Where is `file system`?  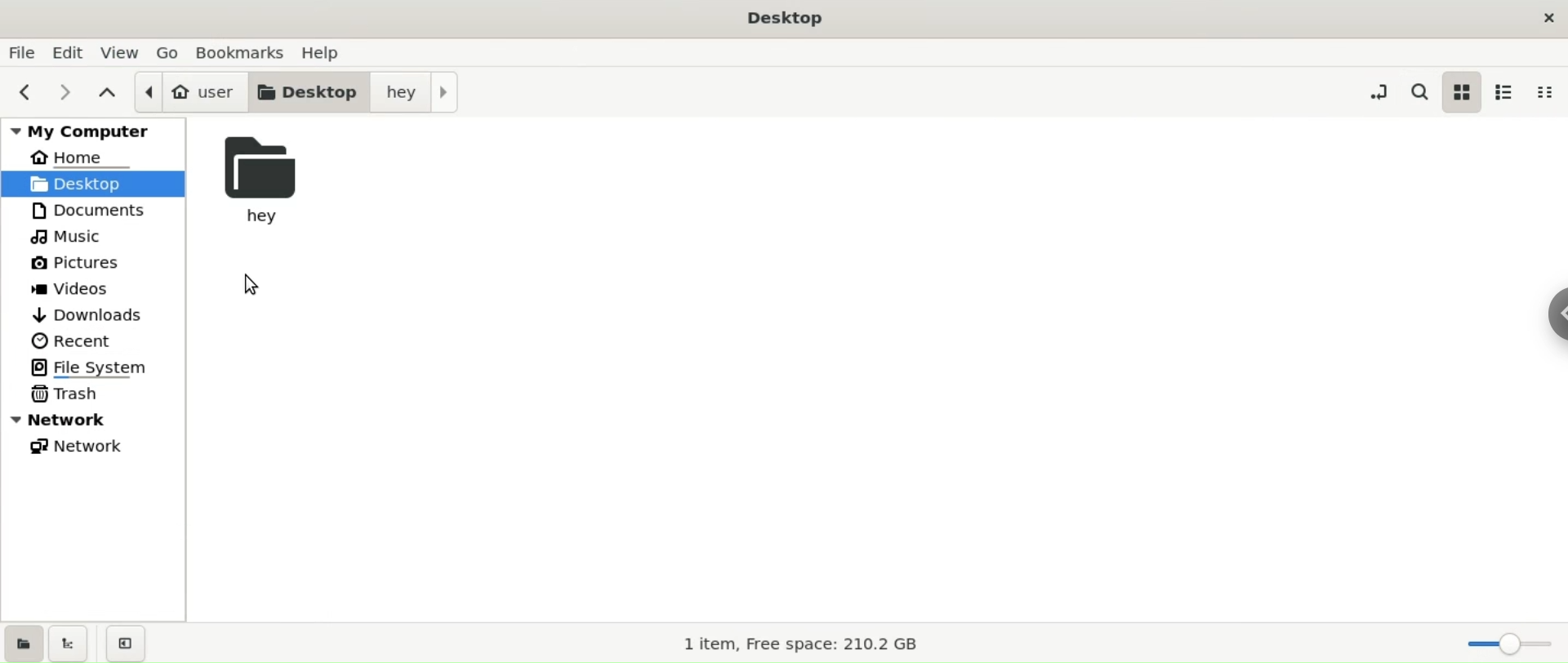
file system is located at coordinates (104, 366).